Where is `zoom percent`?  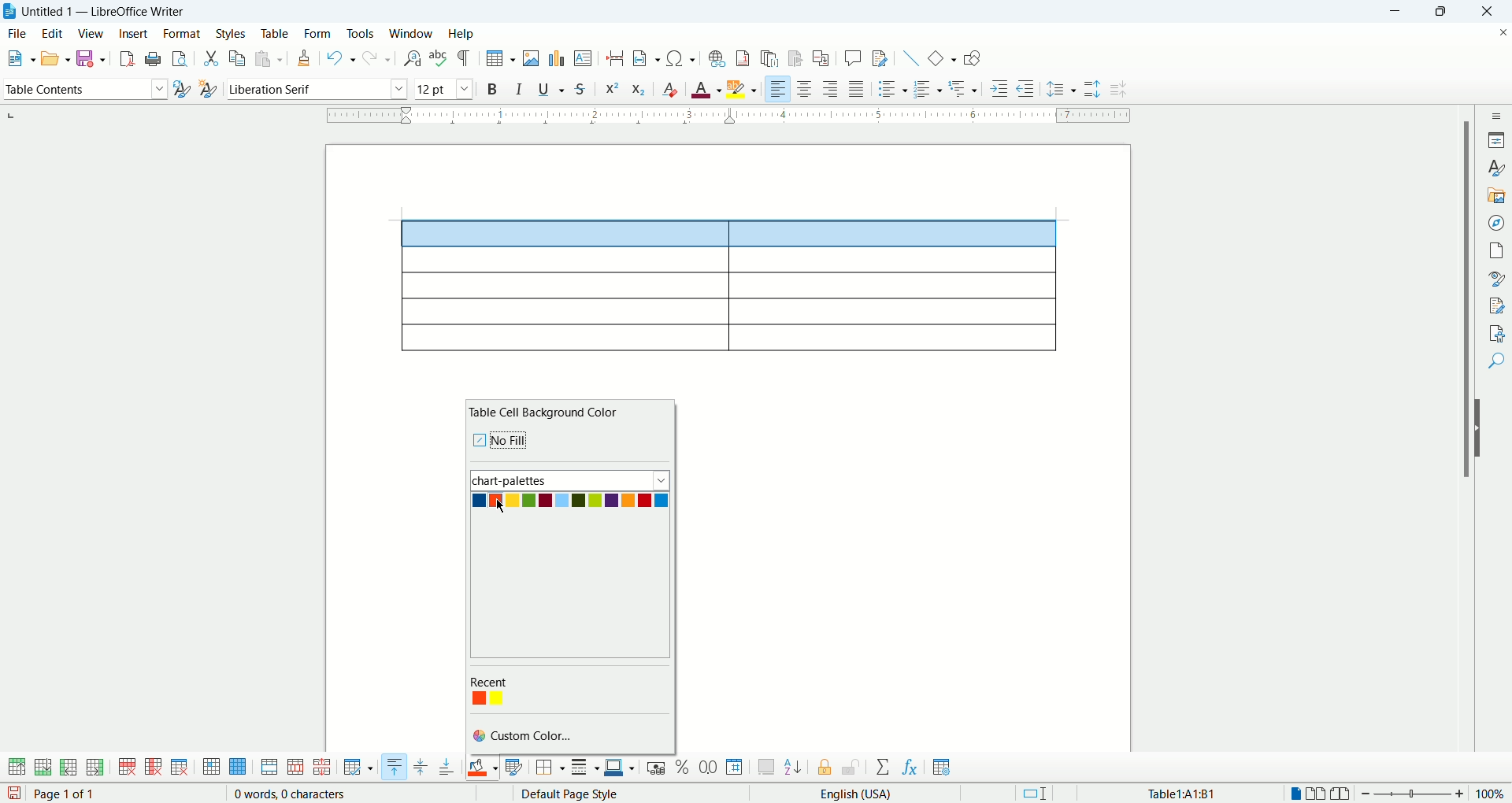 zoom percent is located at coordinates (1492, 793).